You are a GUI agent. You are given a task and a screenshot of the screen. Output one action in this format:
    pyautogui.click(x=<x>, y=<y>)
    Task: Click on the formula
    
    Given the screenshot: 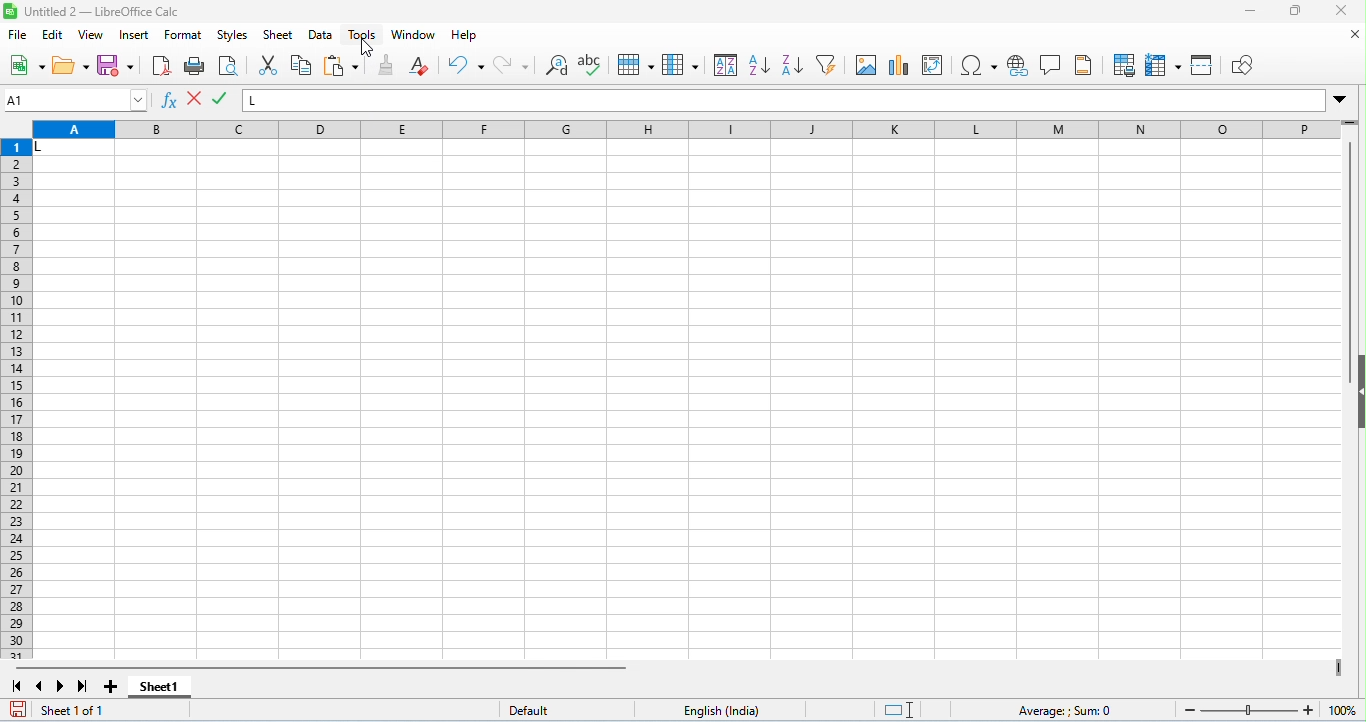 What is the action you would take?
    pyautogui.click(x=1067, y=711)
    